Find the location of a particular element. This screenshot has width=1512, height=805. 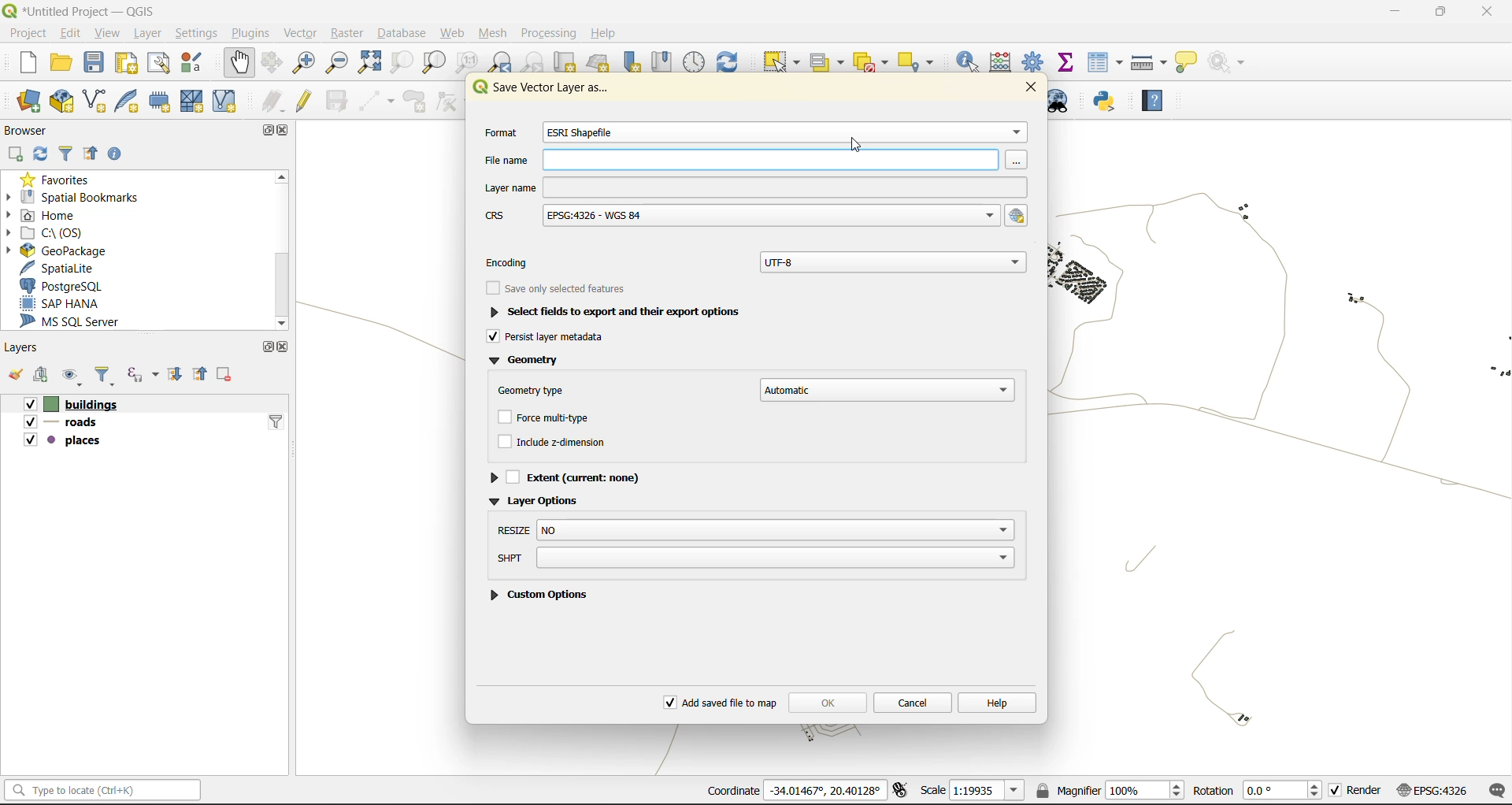

open is located at coordinates (58, 62).